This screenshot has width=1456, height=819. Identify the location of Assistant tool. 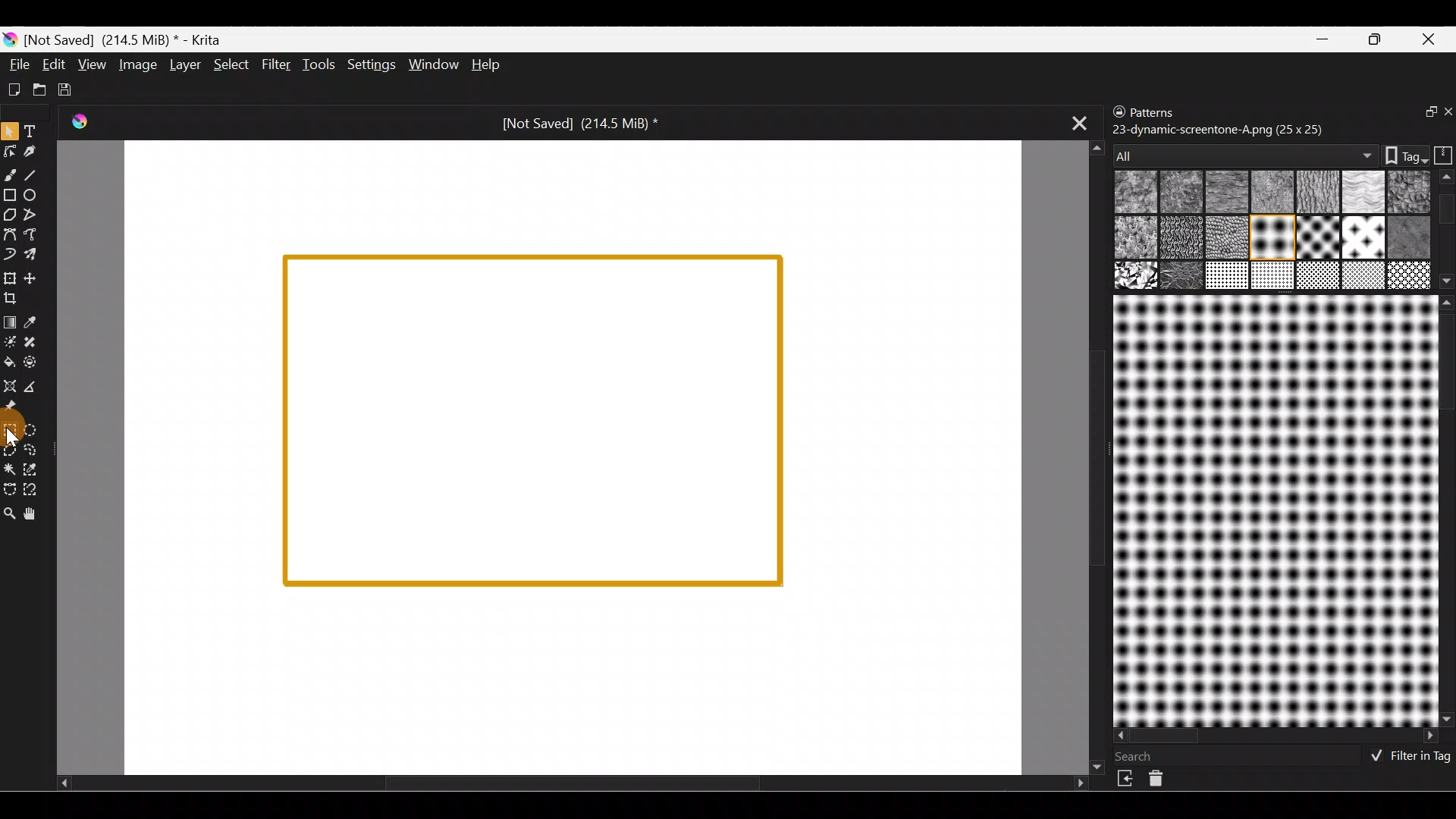
(11, 384).